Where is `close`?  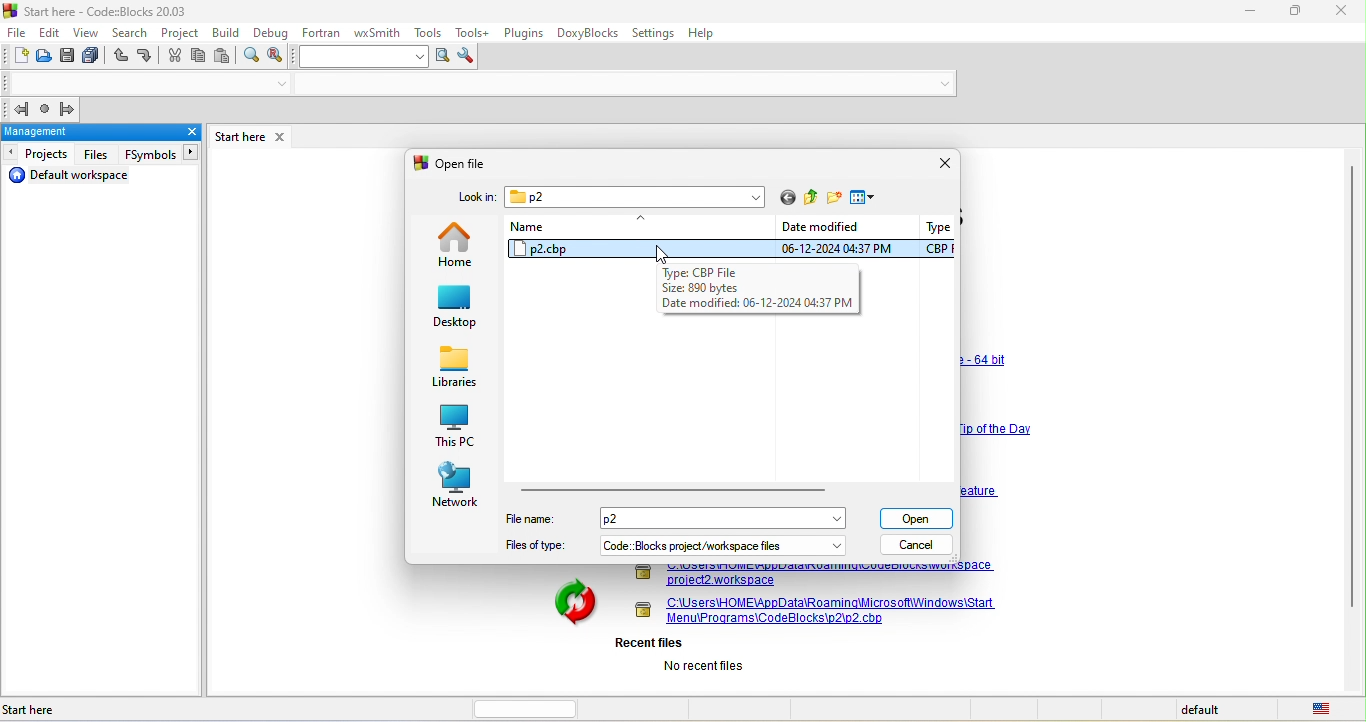
close is located at coordinates (182, 133).